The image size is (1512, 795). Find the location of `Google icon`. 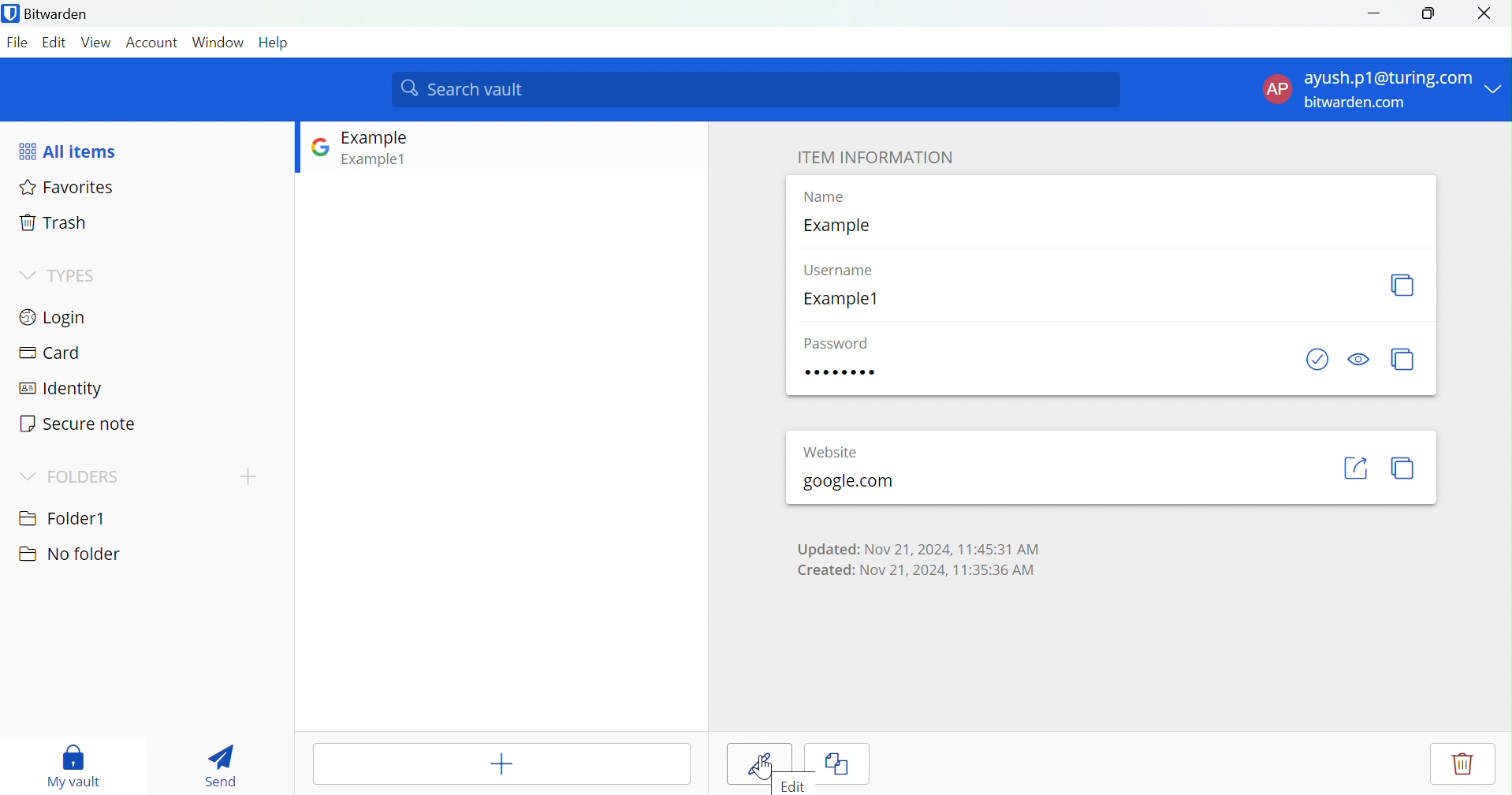

Google icon is located at coordinates (319, 145).